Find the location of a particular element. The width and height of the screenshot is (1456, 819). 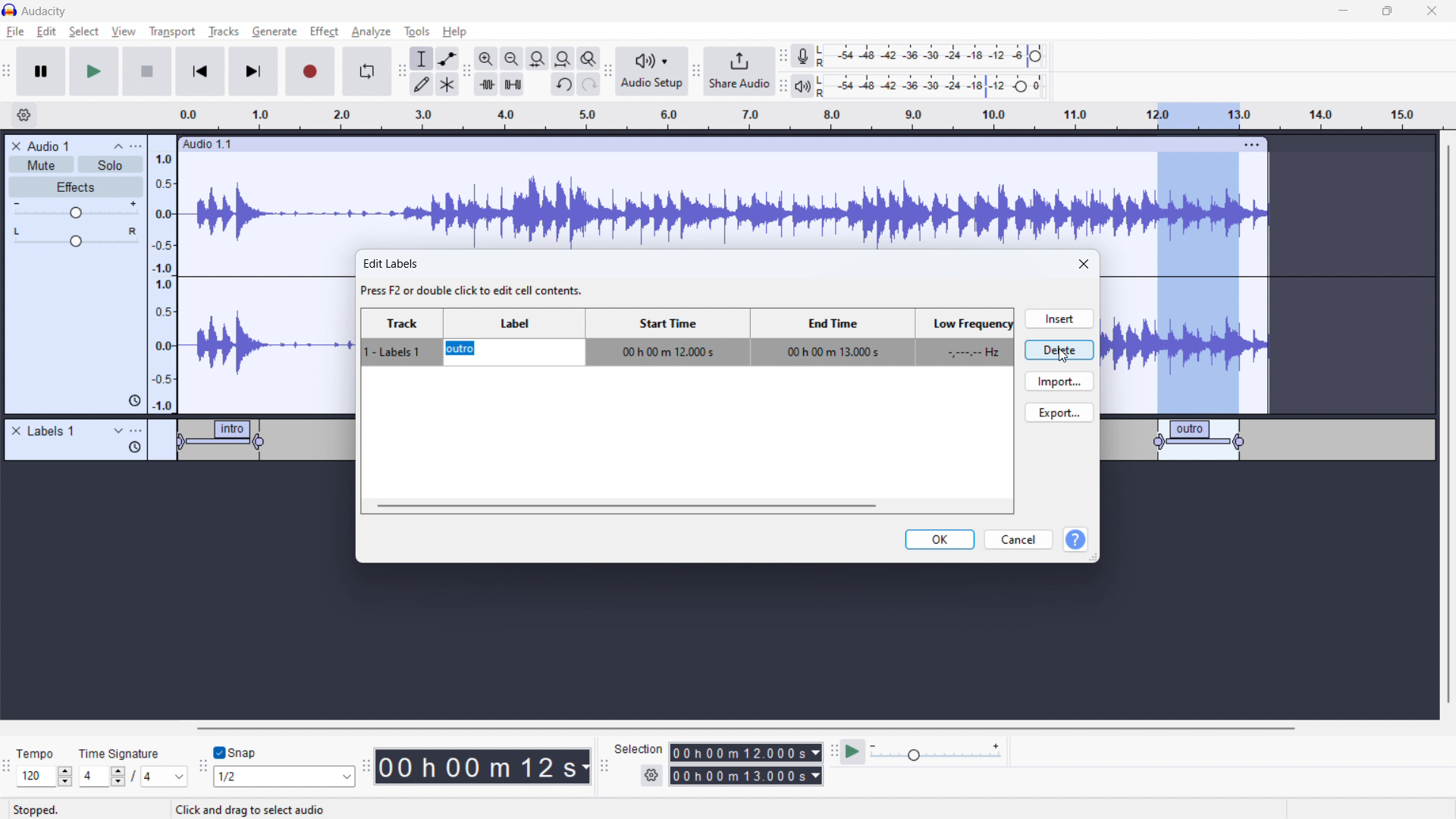

vertical scrollbar is located at coordinates (1446, 426).